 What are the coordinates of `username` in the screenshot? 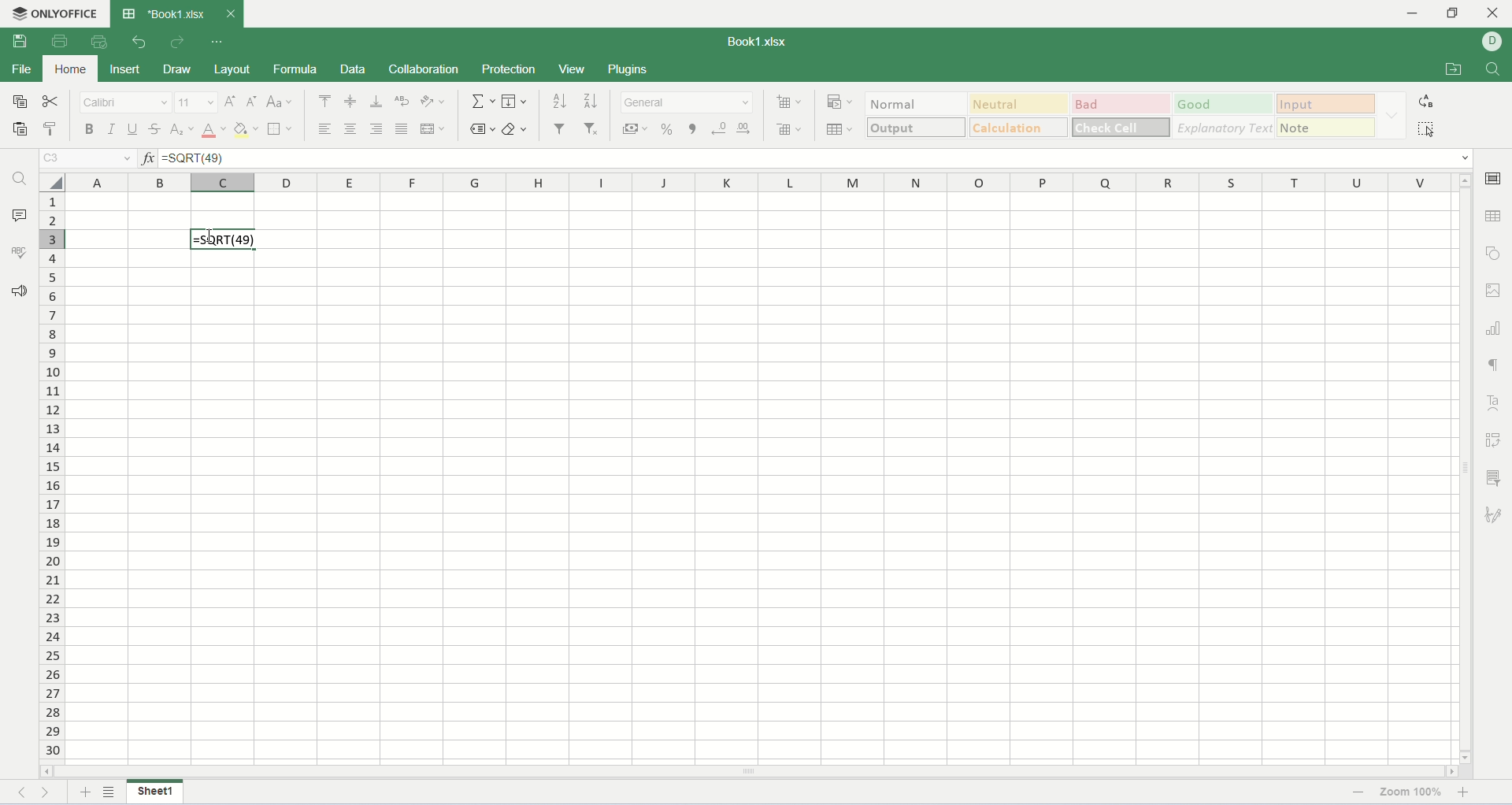 It's located at (1493, 42).